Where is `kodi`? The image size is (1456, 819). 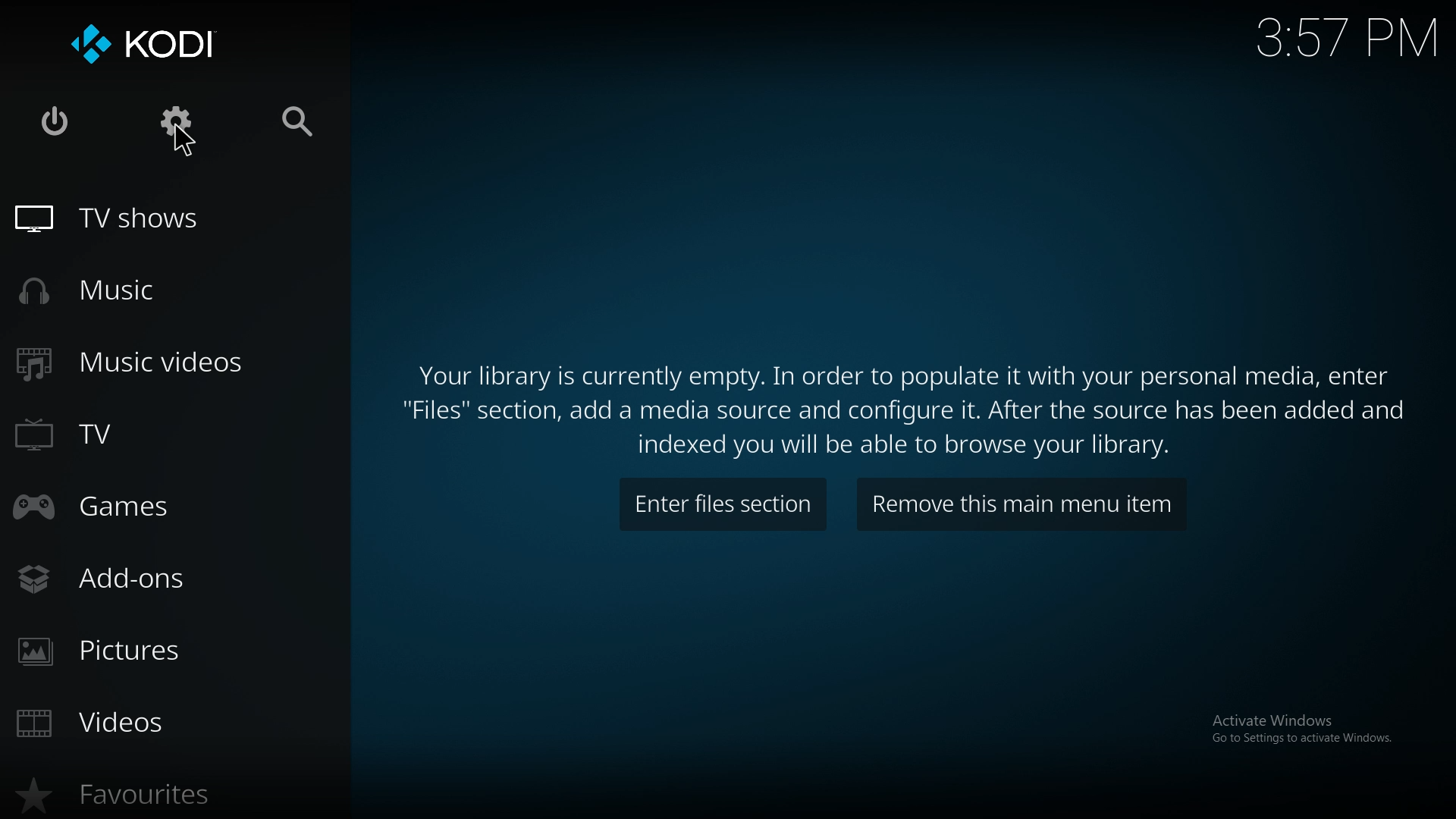
kodi is located at coordinates (151, 42).